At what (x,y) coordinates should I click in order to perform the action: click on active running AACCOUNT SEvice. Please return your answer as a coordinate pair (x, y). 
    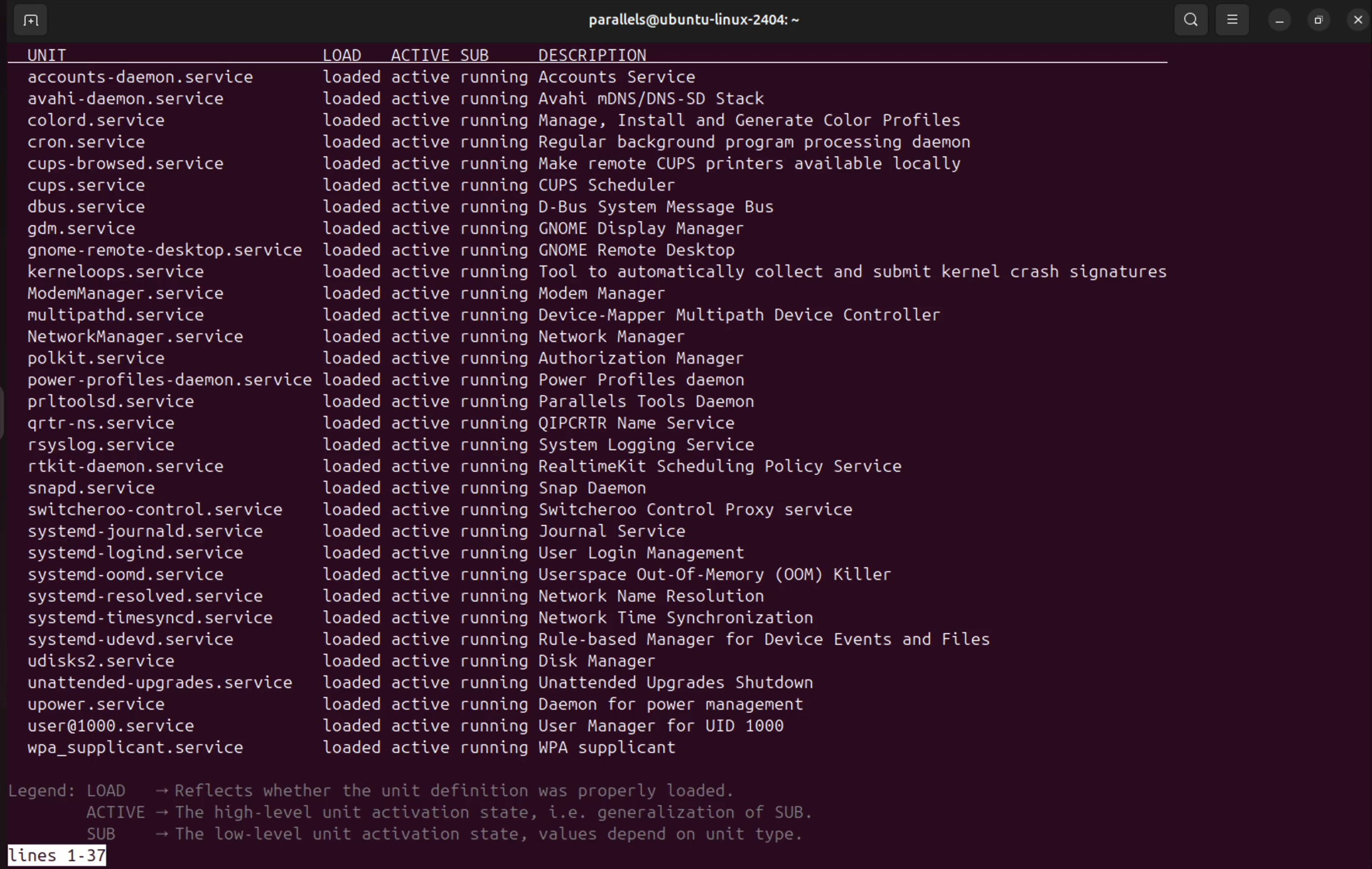
    Looking at the image, I should click on (548, 78).